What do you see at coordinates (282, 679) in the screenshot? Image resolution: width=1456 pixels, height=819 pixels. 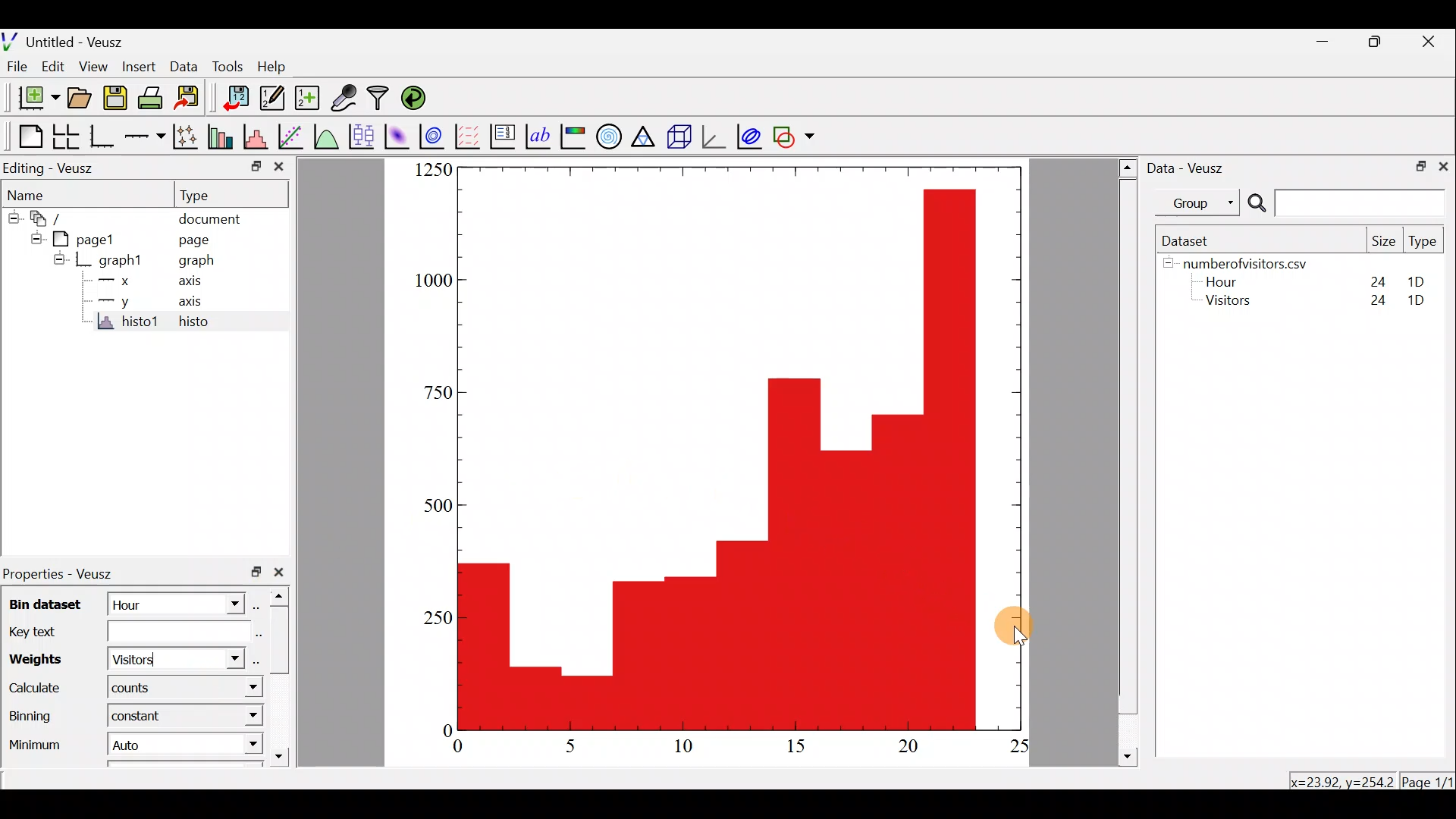 I see `scroll bar` at bounding box center [282, 679].